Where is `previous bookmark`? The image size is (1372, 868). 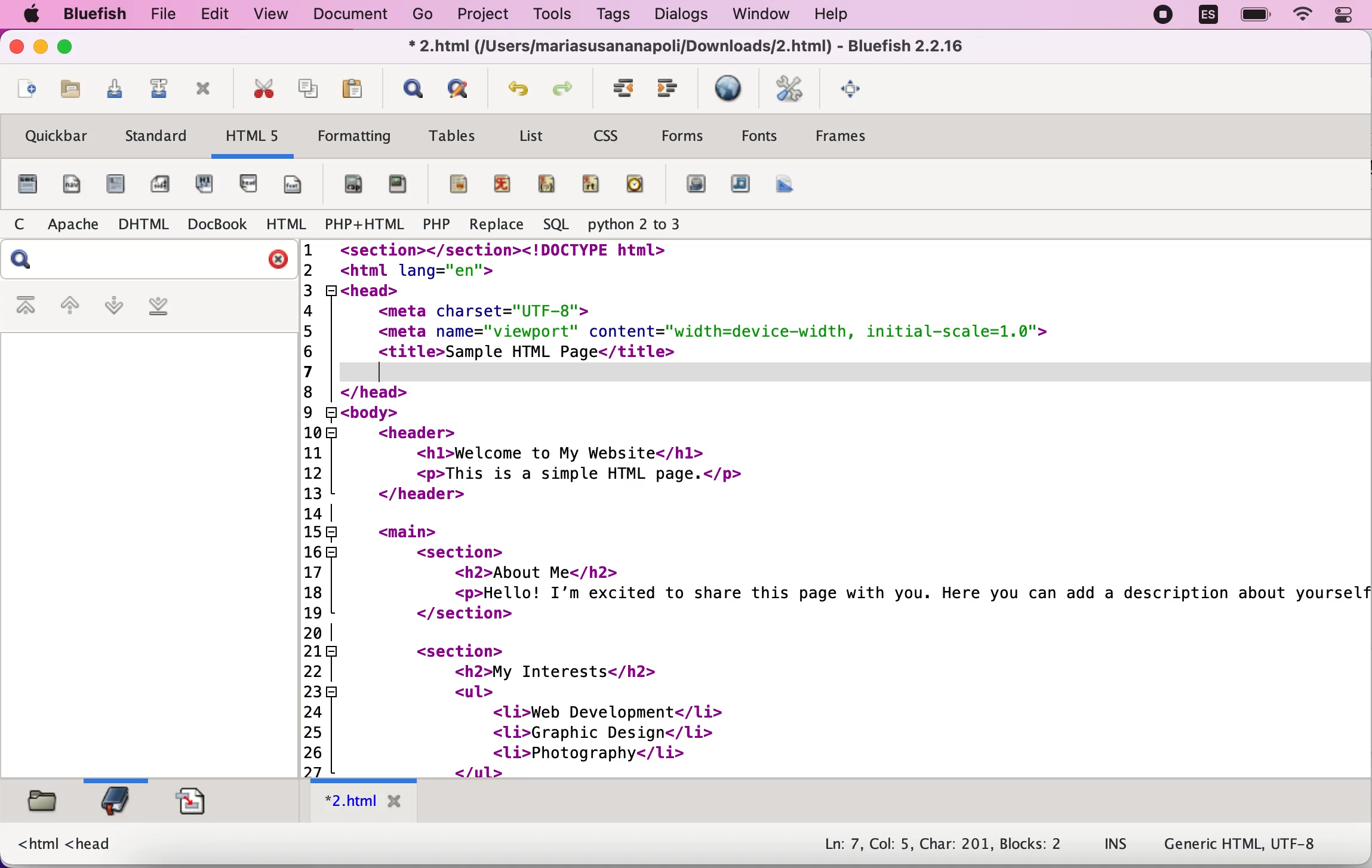
previous bookmark is located at coordinates (69, 306).